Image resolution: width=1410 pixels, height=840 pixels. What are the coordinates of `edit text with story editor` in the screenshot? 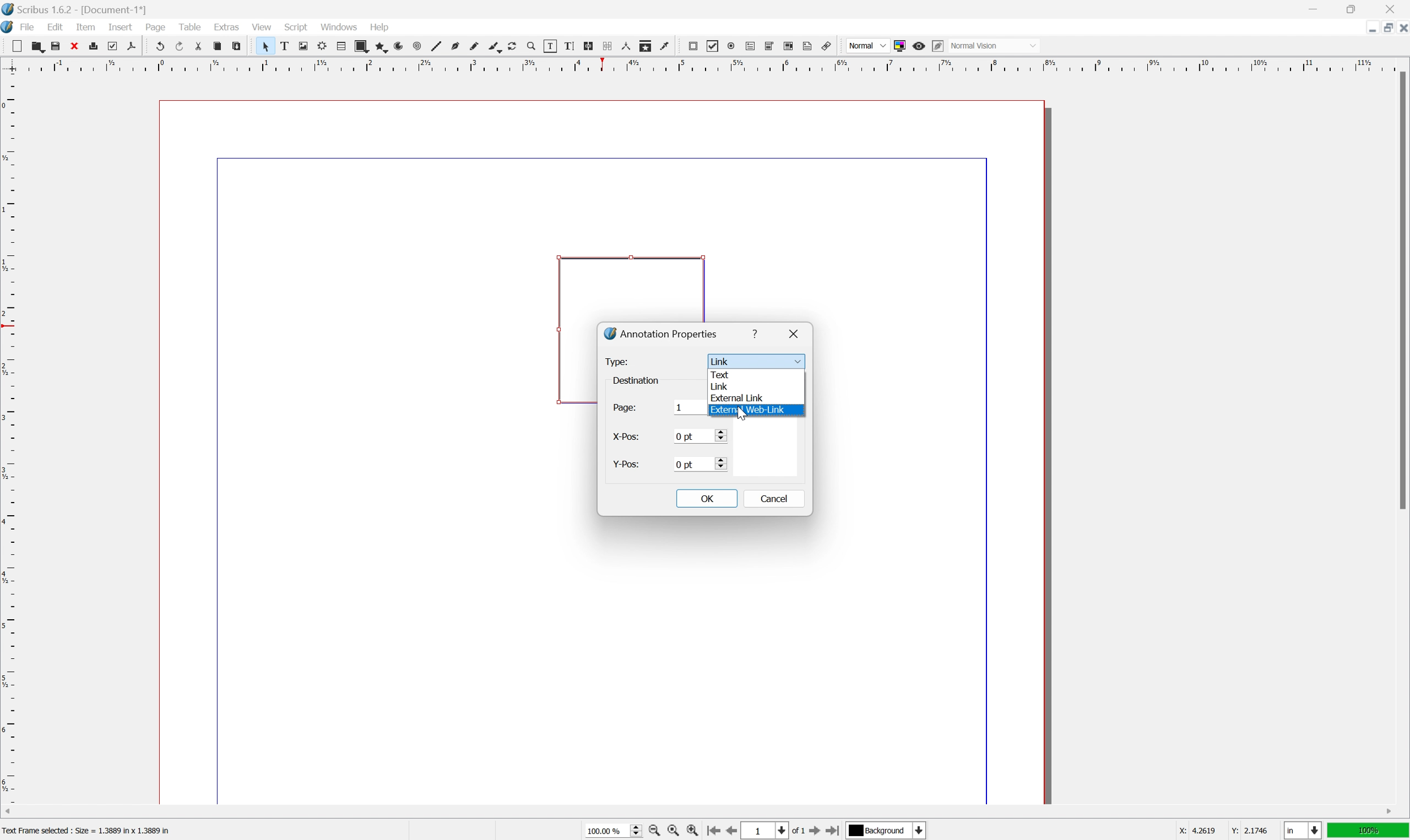 It's located at (569, 46).